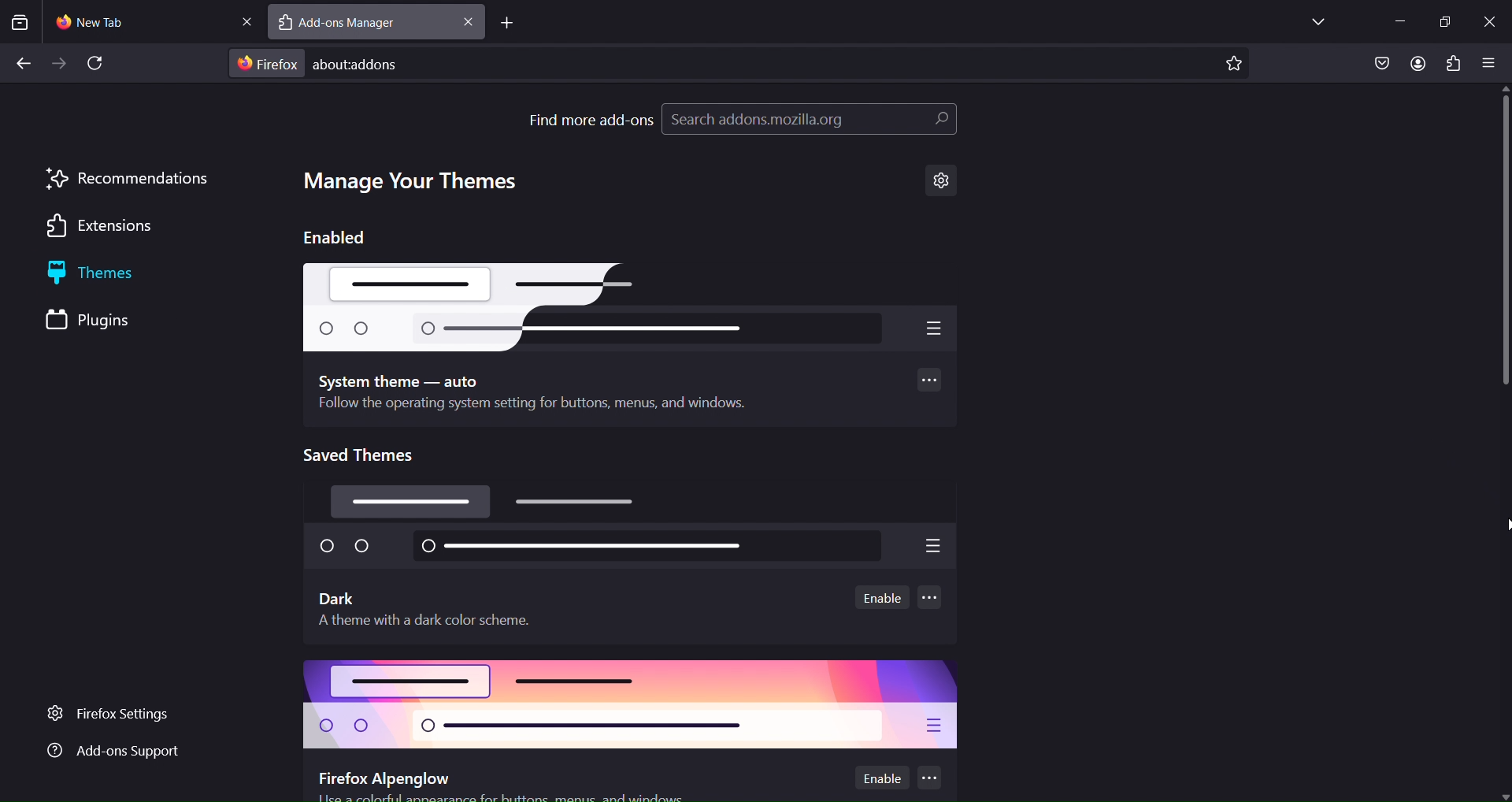  I want to click on manage your themes, so click(415, 182).